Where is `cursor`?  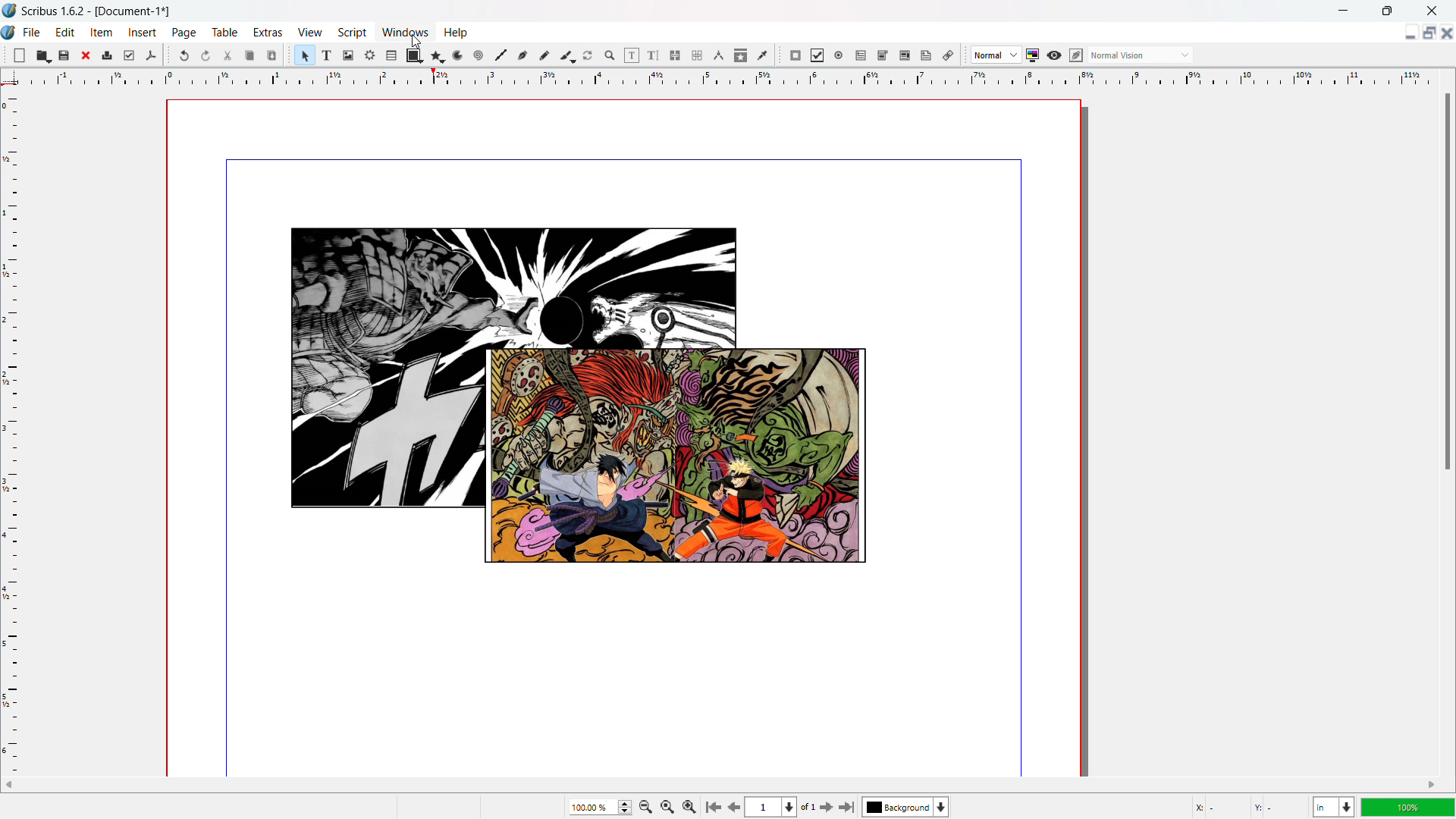 cursor is located at coordinates (416, 40).